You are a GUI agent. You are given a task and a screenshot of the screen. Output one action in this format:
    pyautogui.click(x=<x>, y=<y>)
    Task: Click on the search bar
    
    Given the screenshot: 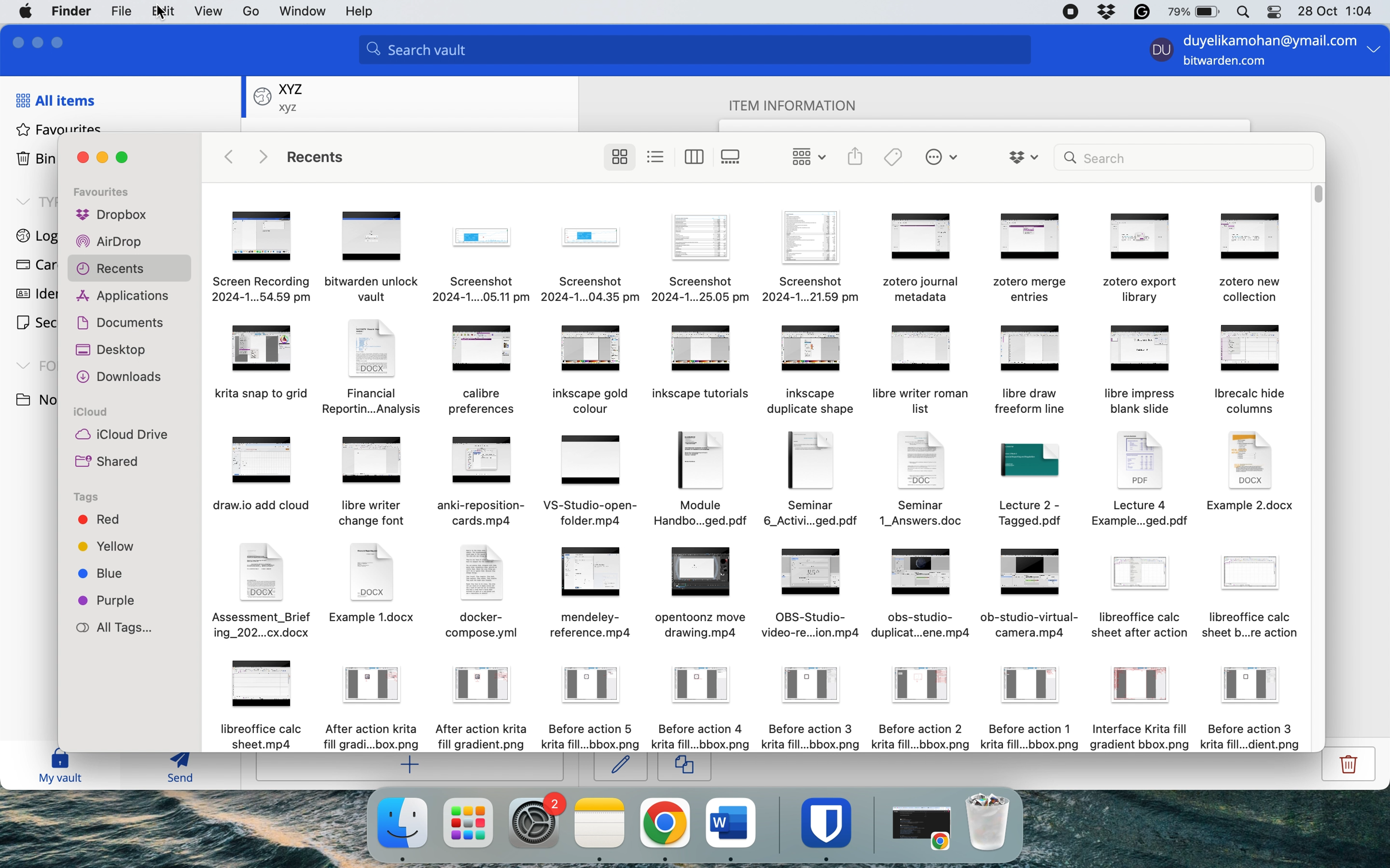 What is the action you would take?
    pyautogui.click(x=1184, y=157)
    